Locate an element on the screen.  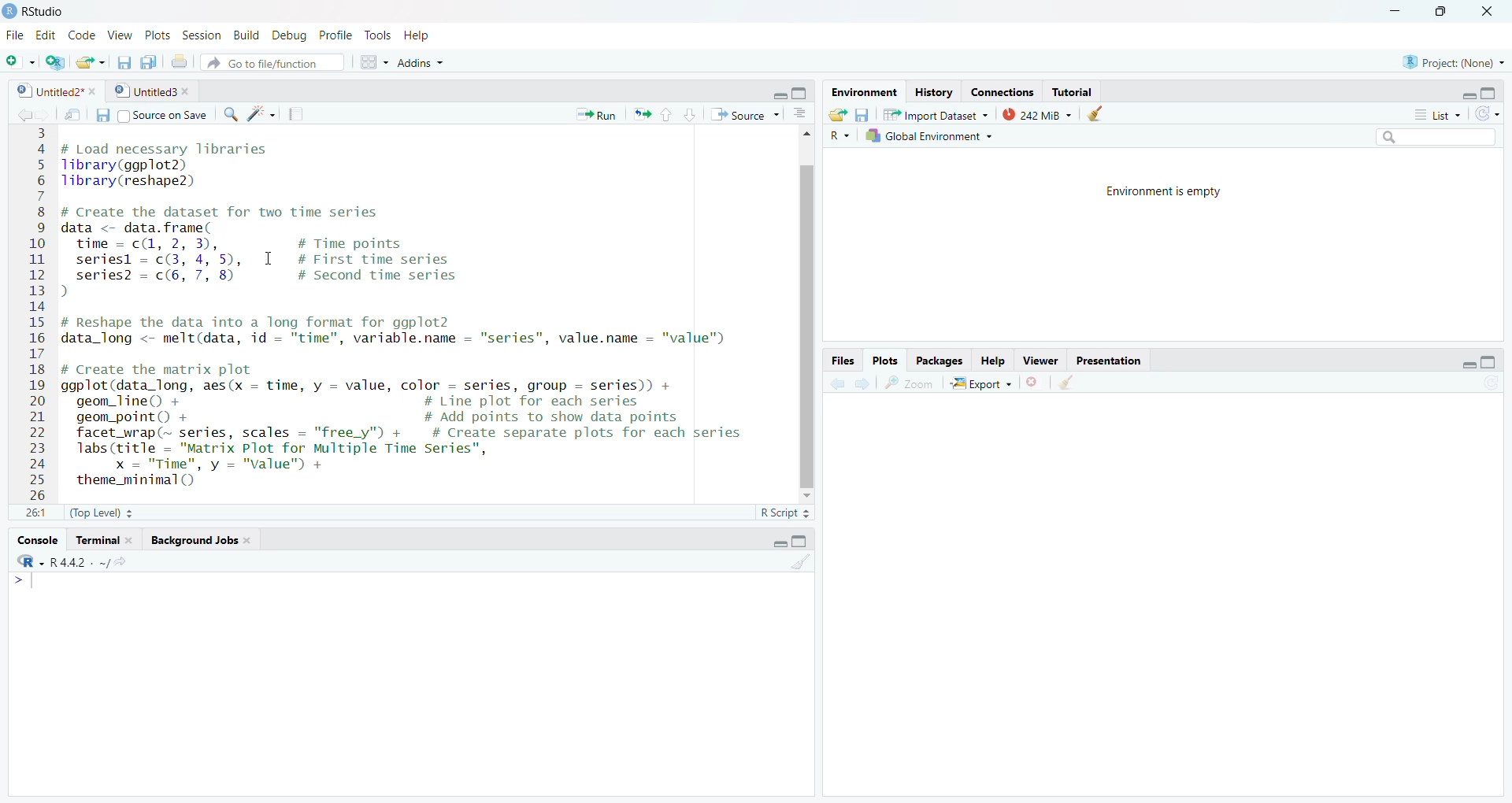
code tools is located at coordinates (261, 114).